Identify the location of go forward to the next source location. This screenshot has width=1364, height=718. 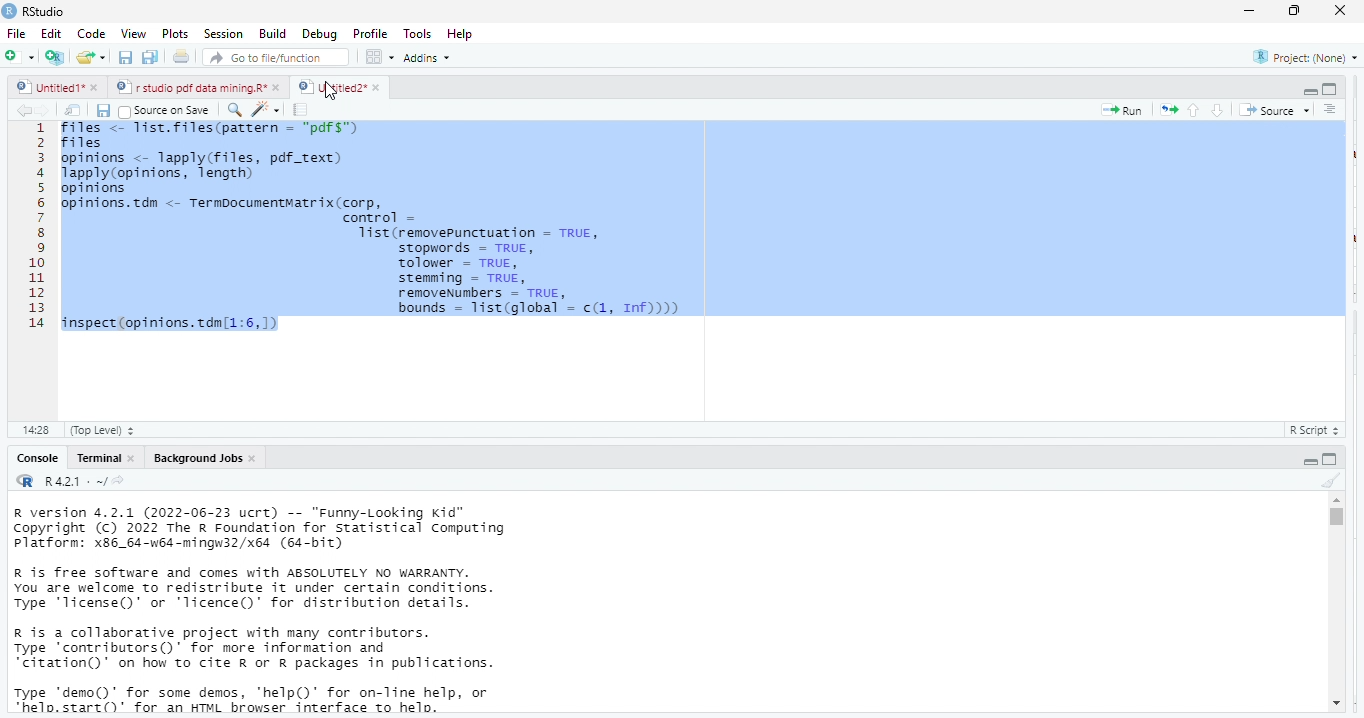
(47, 110).